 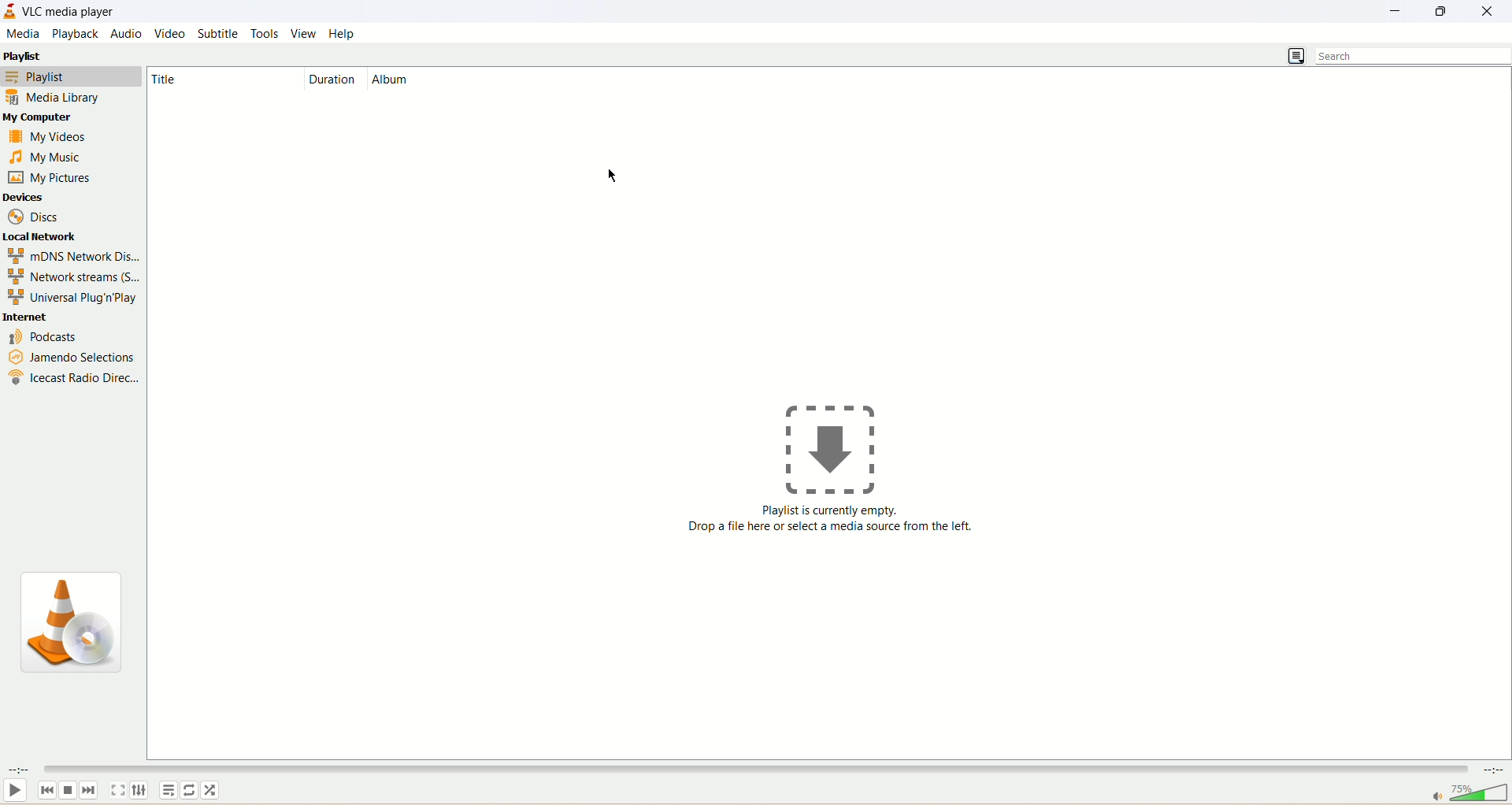 I want to click on image, so click(x=828, y=451).